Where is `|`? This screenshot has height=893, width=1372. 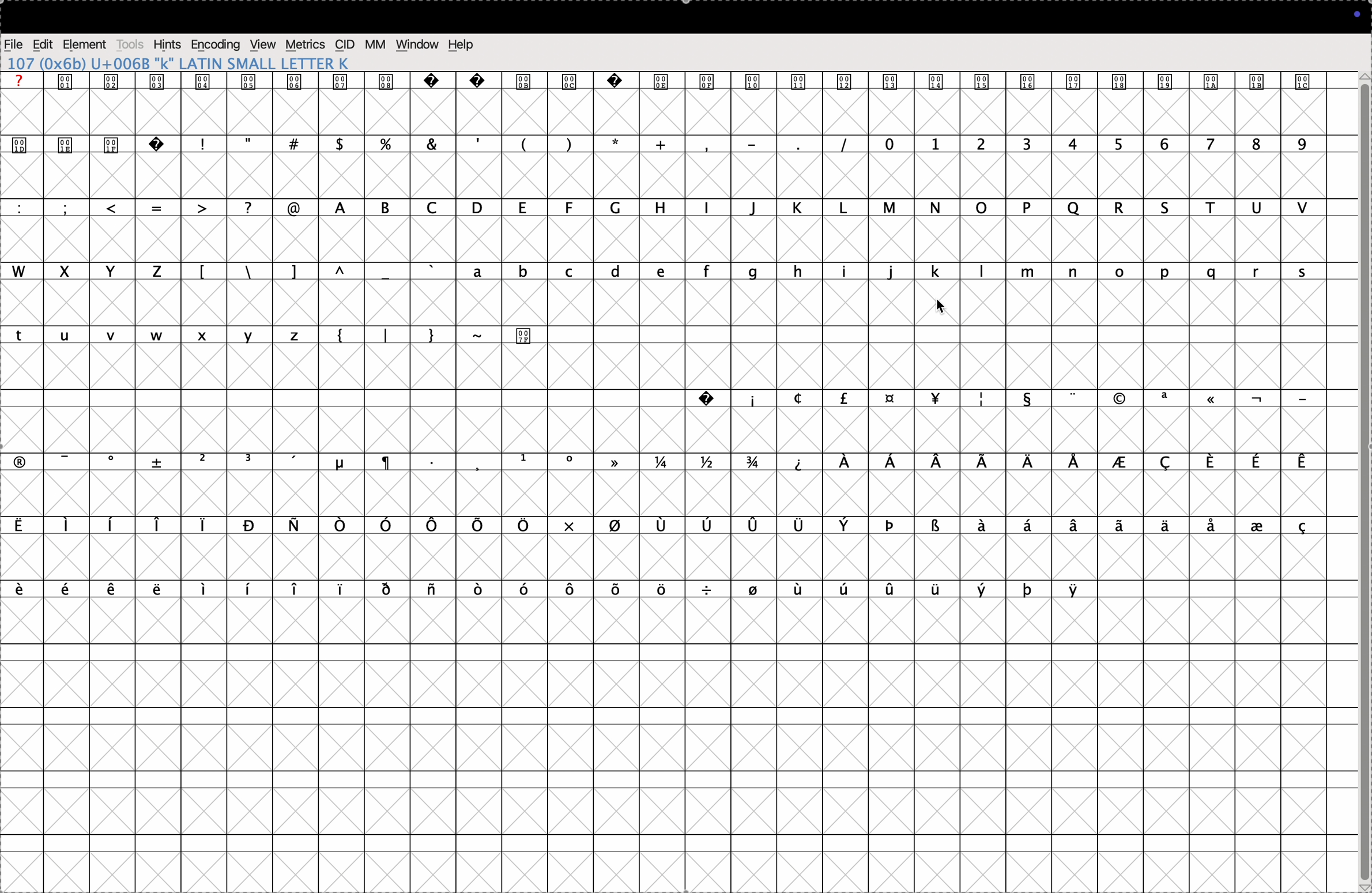
| is located at coordinates (384, 334).